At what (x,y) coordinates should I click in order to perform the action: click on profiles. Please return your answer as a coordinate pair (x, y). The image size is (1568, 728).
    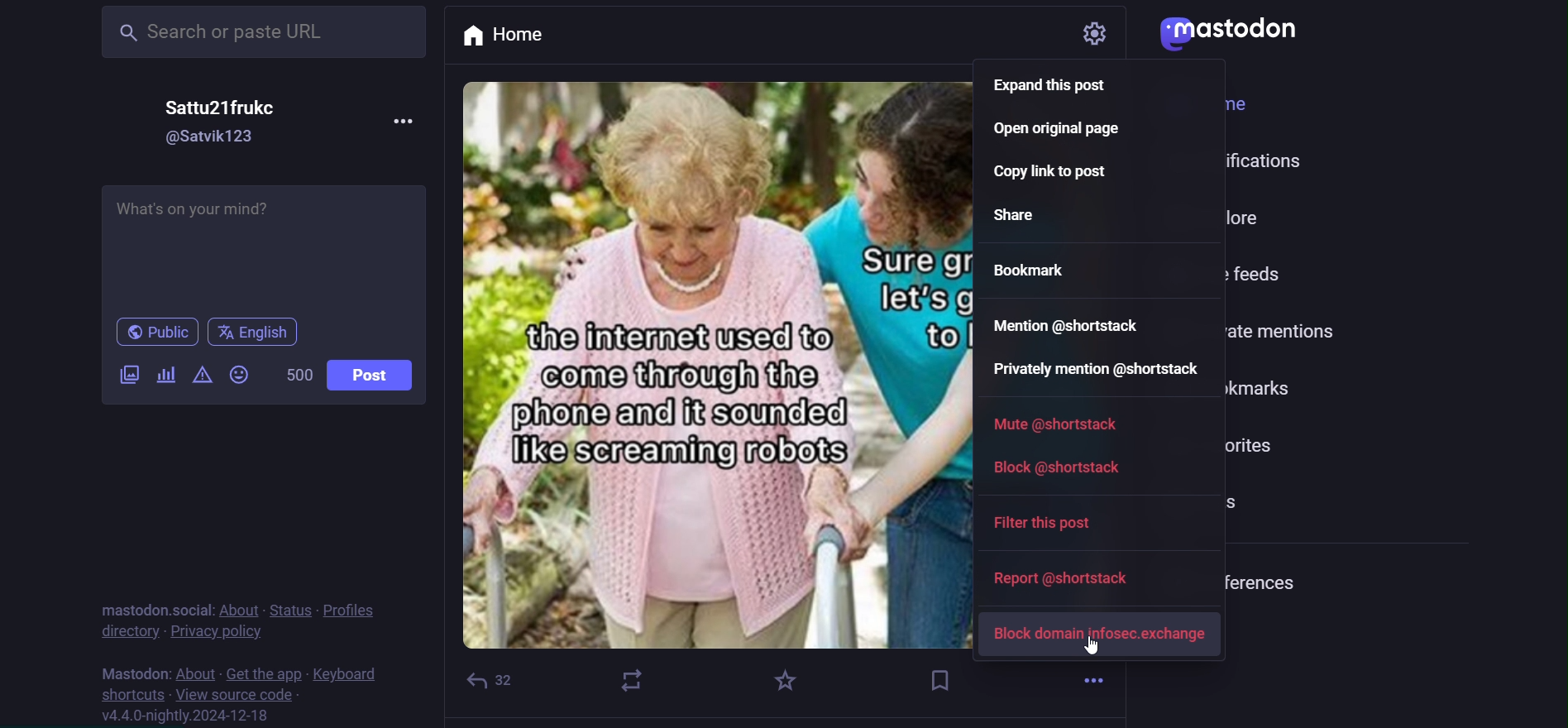
    Looking at the image, I should click on (354, 608).